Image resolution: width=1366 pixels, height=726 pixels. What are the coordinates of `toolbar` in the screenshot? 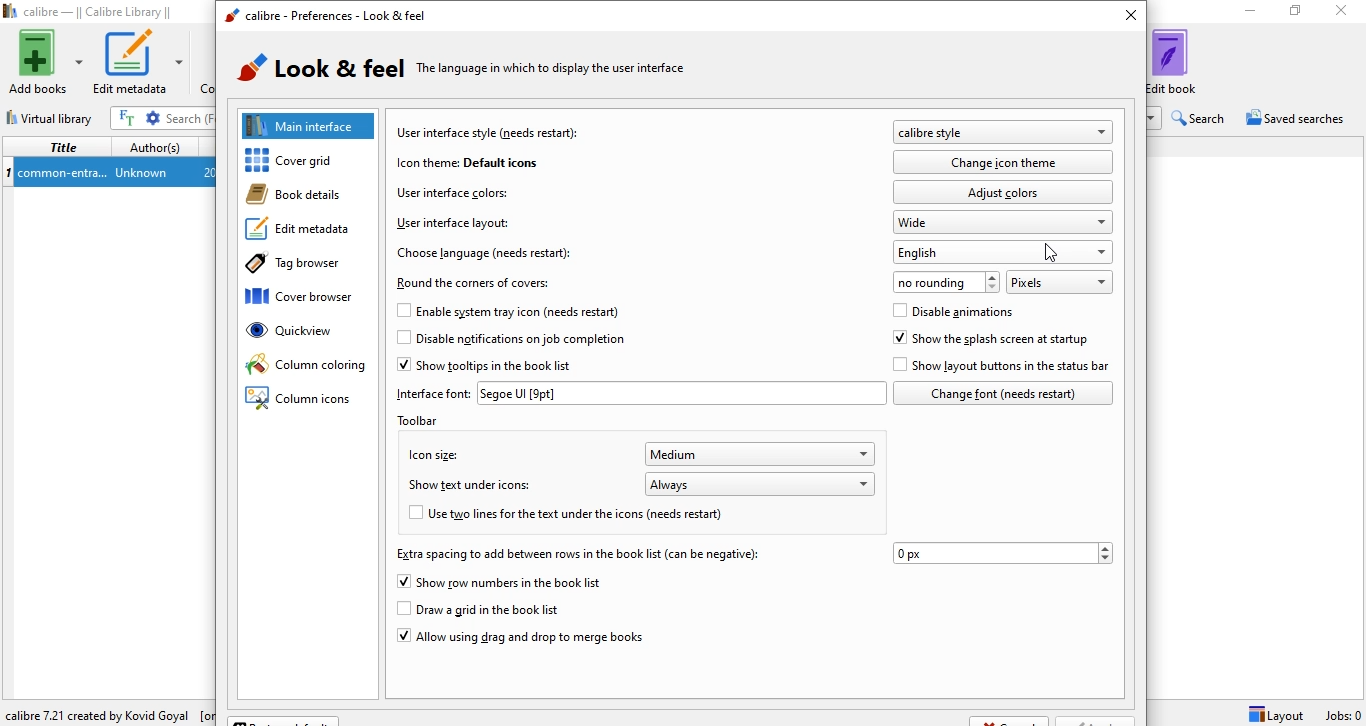 It's located at (428, 420).